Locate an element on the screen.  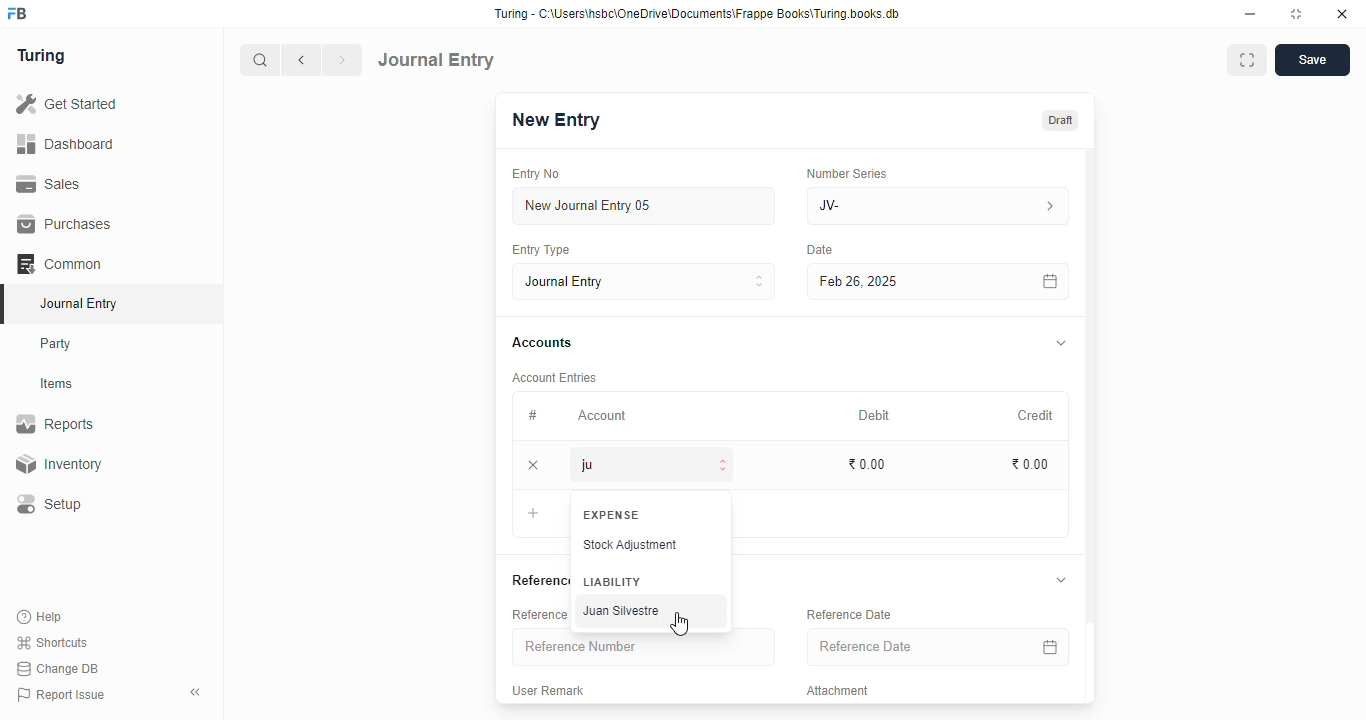
items is located at coordinates (59, 384).